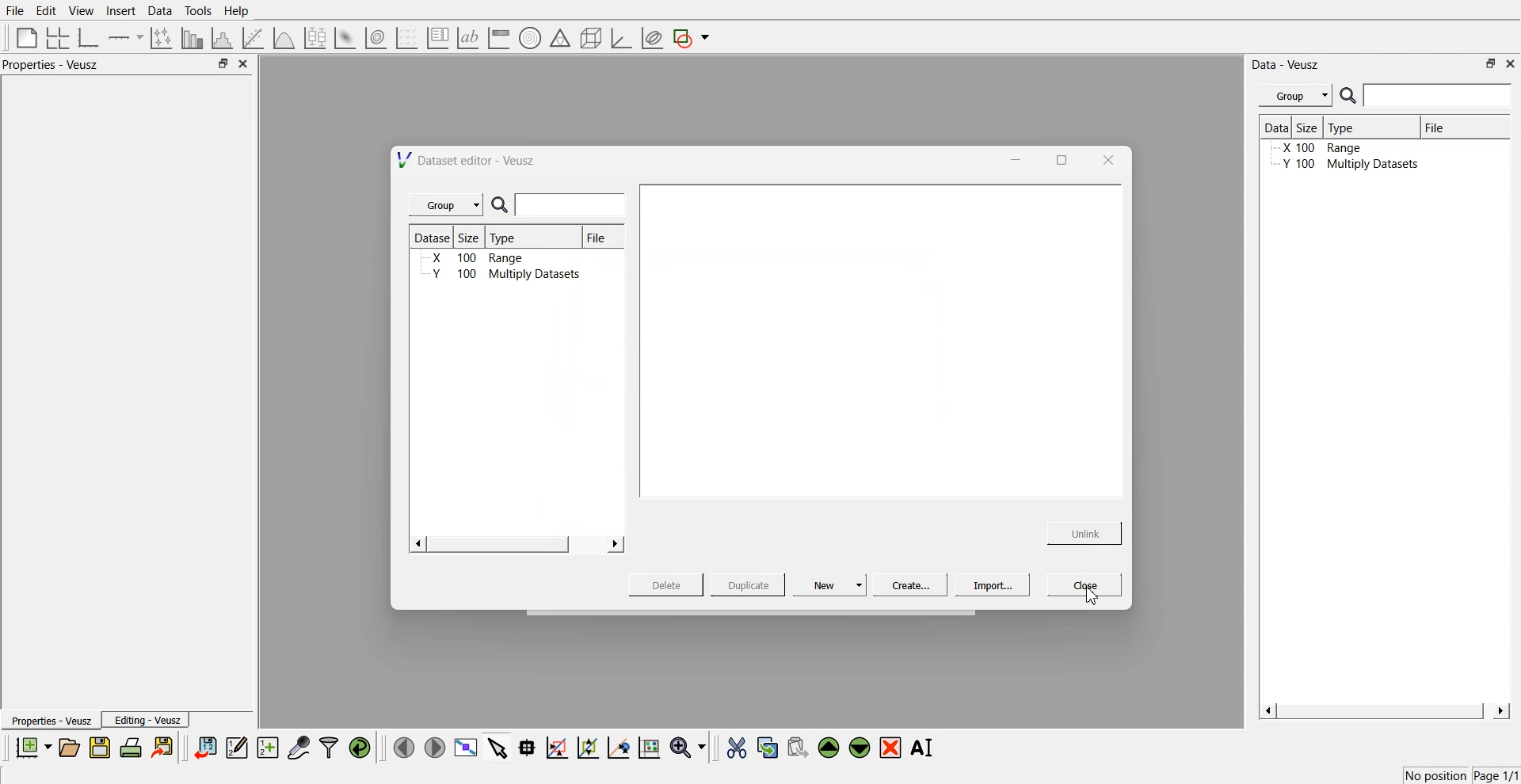 This screenshot has height=784, width=1521. I want to click on Tools, so click(196, 10).